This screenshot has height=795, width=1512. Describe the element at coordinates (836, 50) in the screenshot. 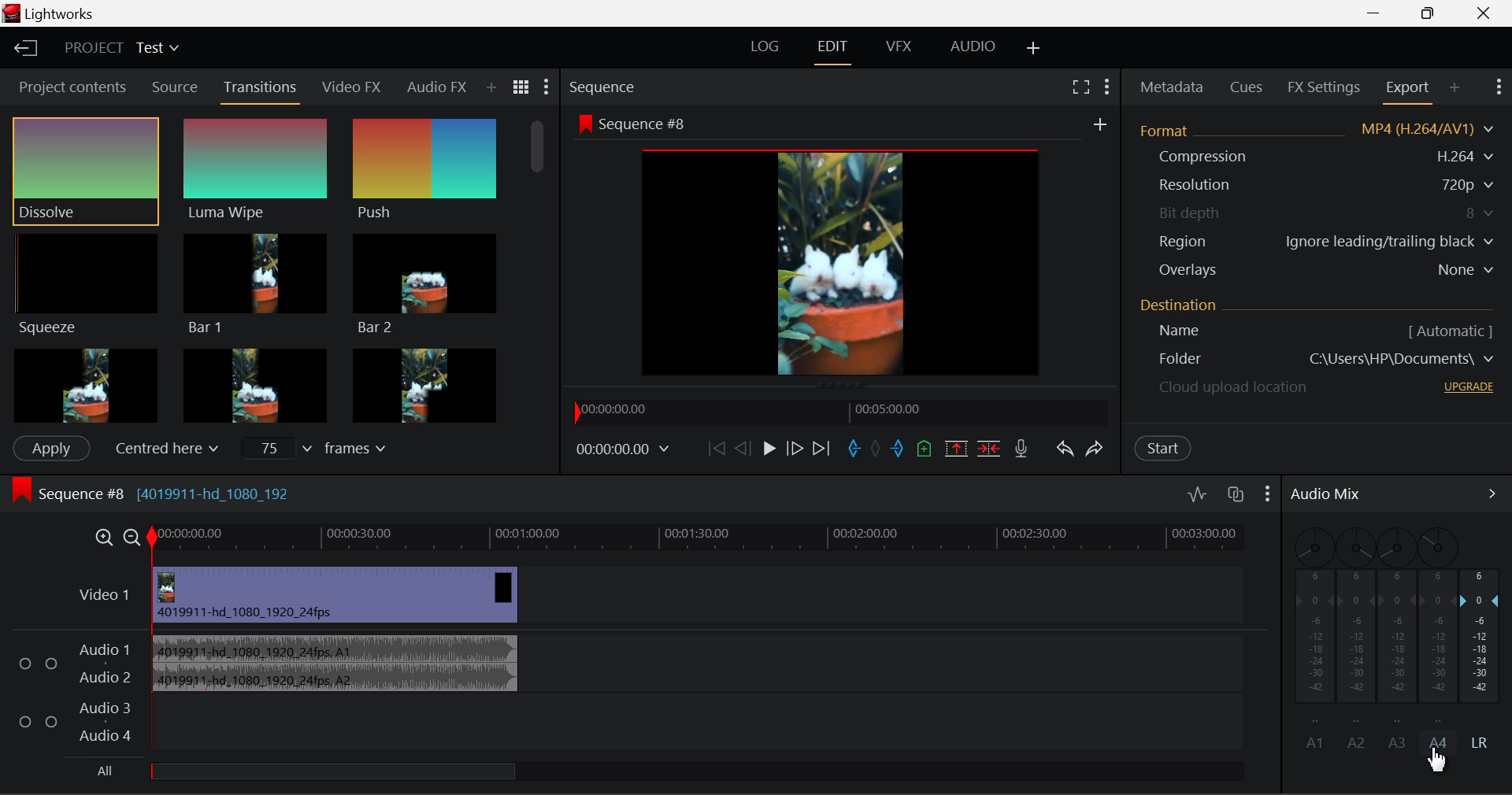

I see `EDIT Layout` at that location.